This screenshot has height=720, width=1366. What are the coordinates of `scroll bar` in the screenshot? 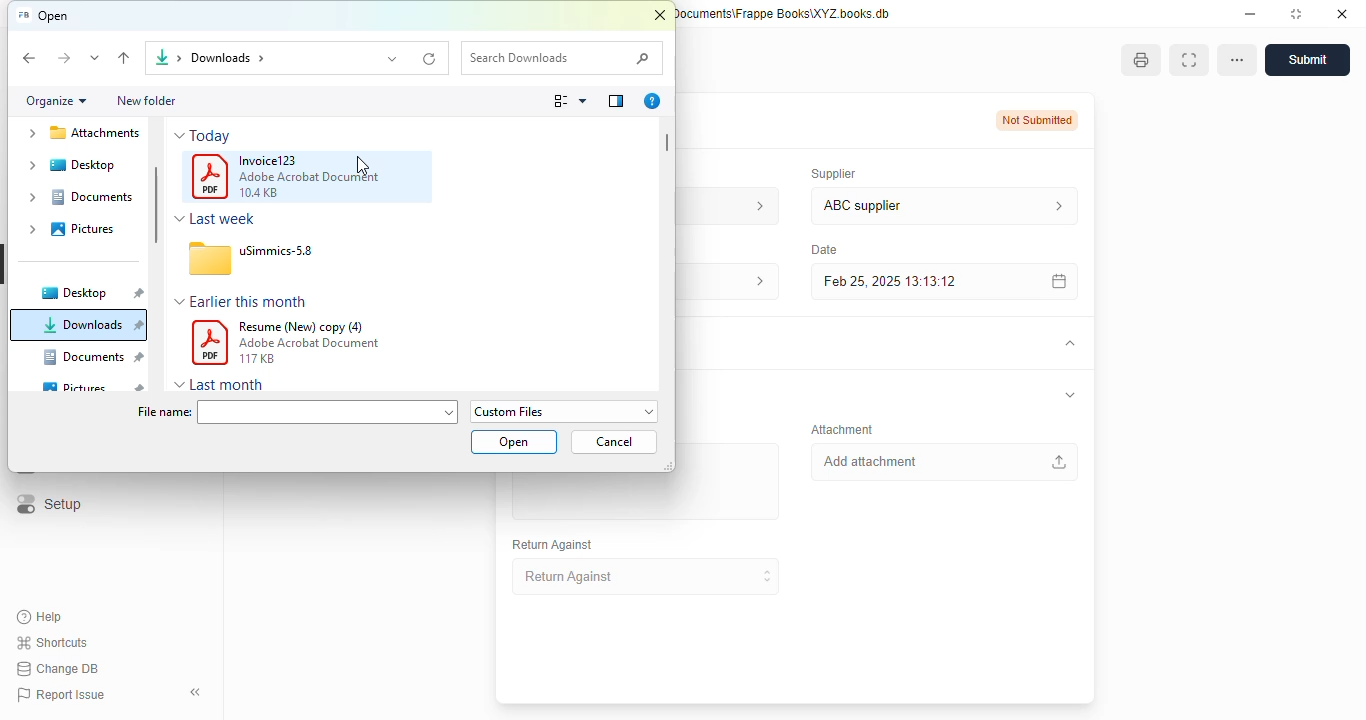 It's located at (667, 142).